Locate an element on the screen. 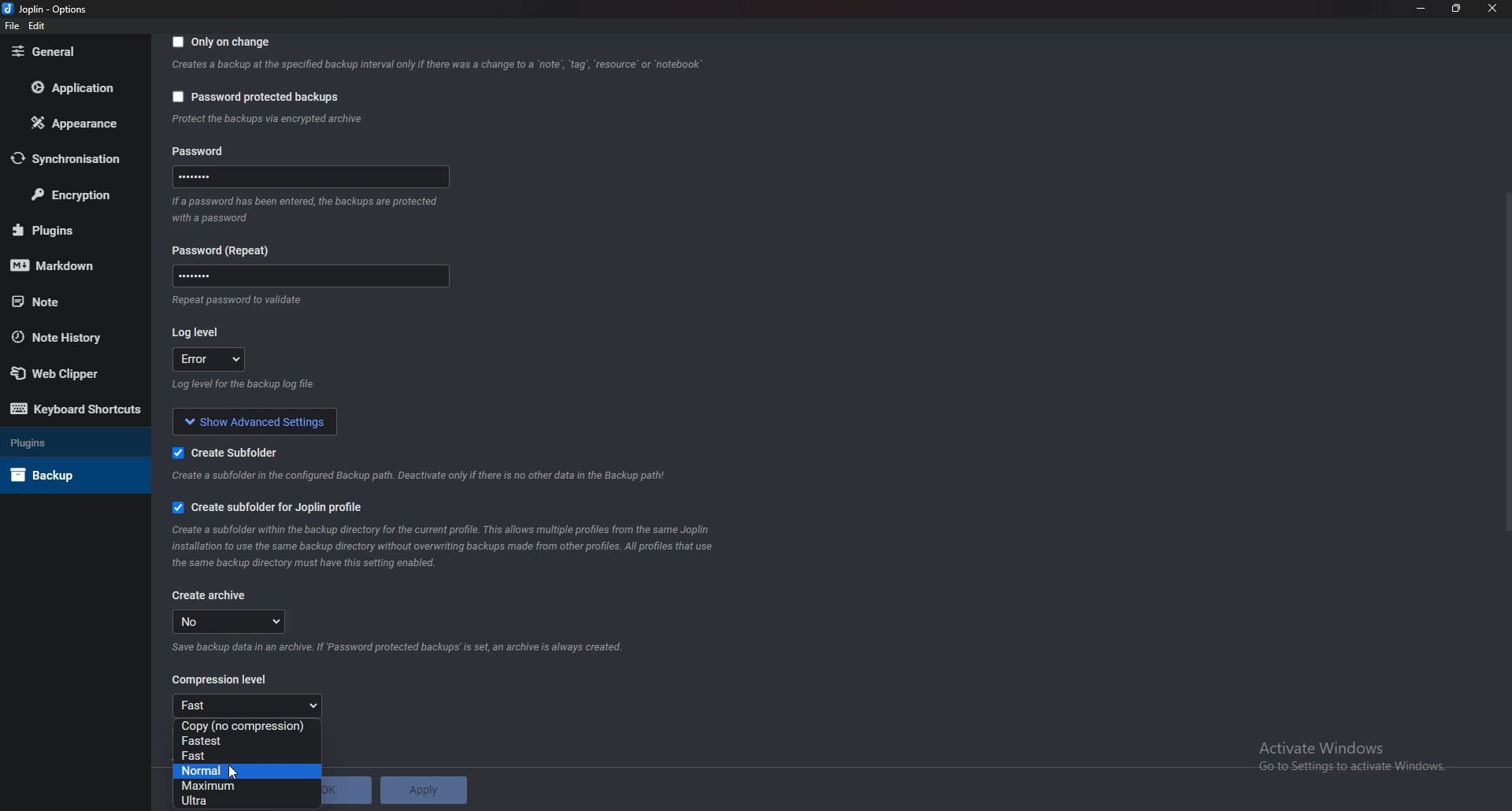 The image size is (1512, 811). minimize is located at coordinates (1421, 8).